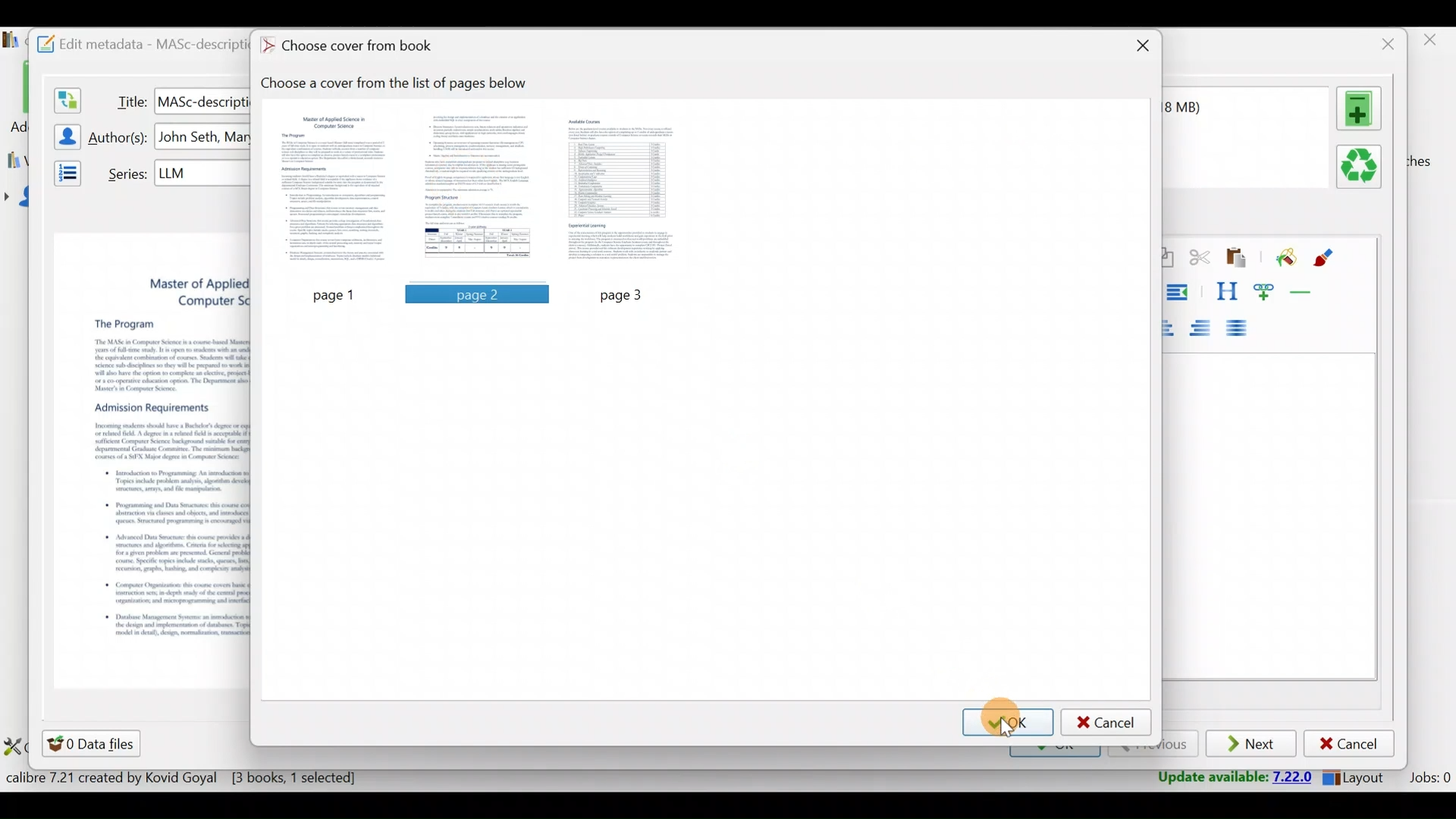  Describe the element at coordinates (1008, 725) in the screenshot. I see `Cursor` at that location.